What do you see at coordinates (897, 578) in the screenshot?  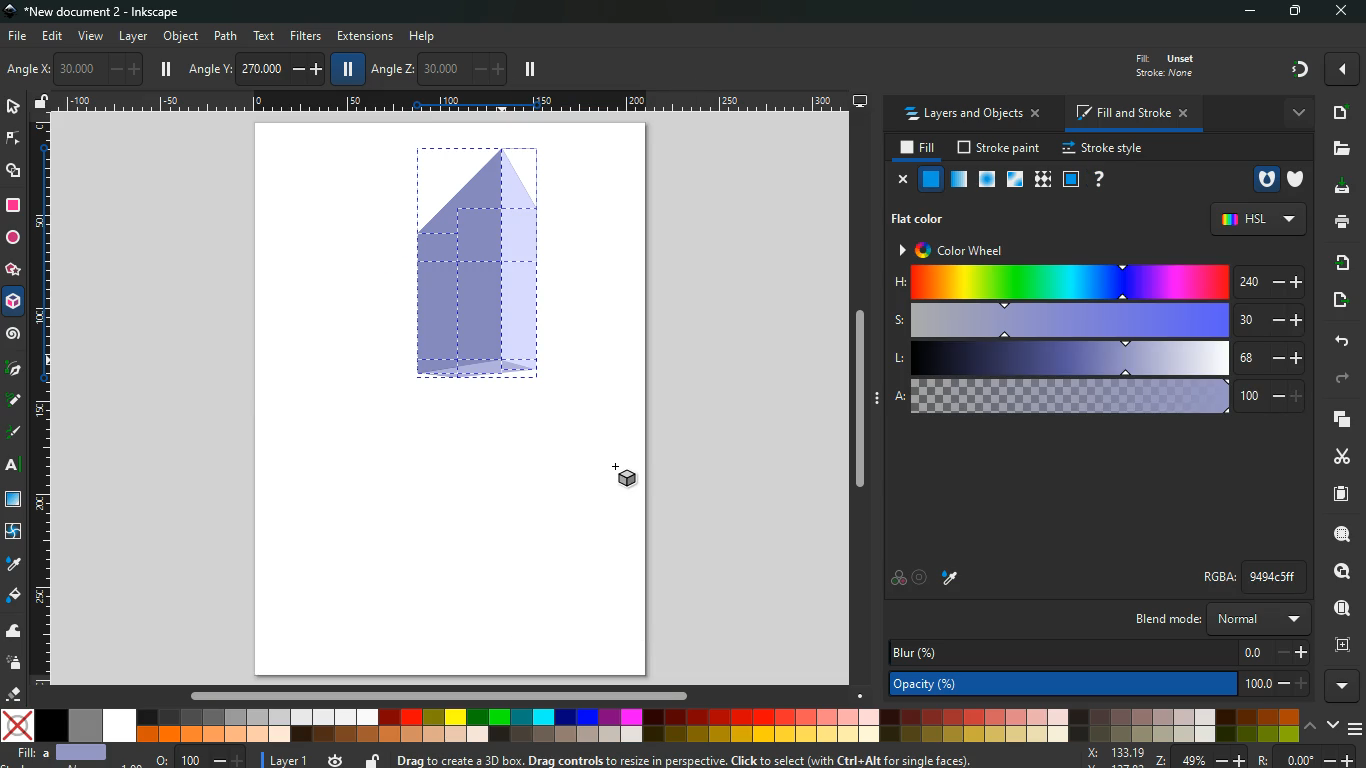 I see `palette` at bounding box center [897, 578].